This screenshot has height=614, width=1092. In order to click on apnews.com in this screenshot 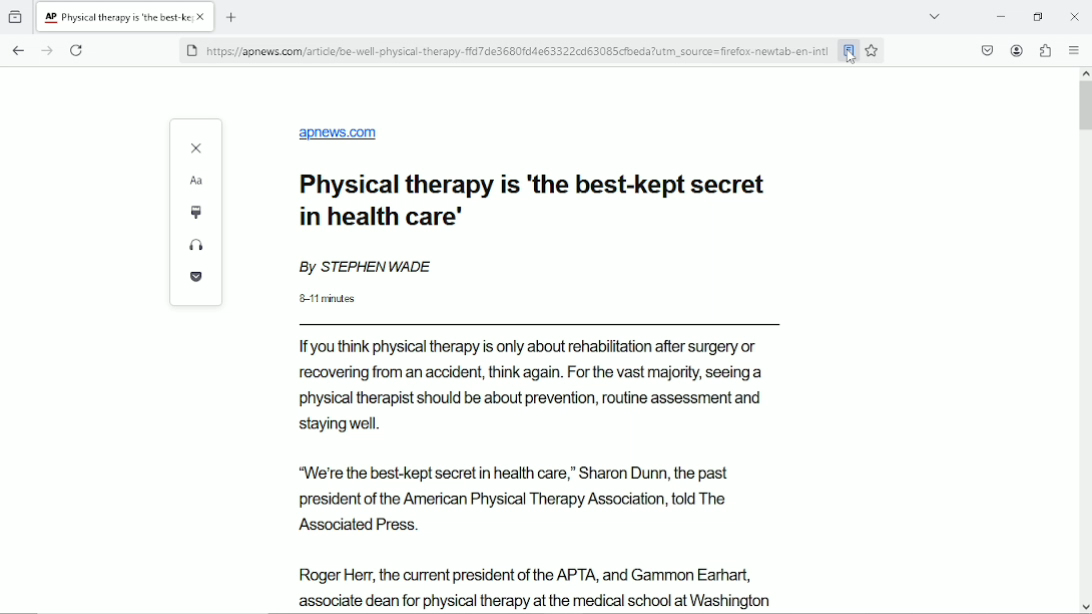, I will do `click(340, 135)`.